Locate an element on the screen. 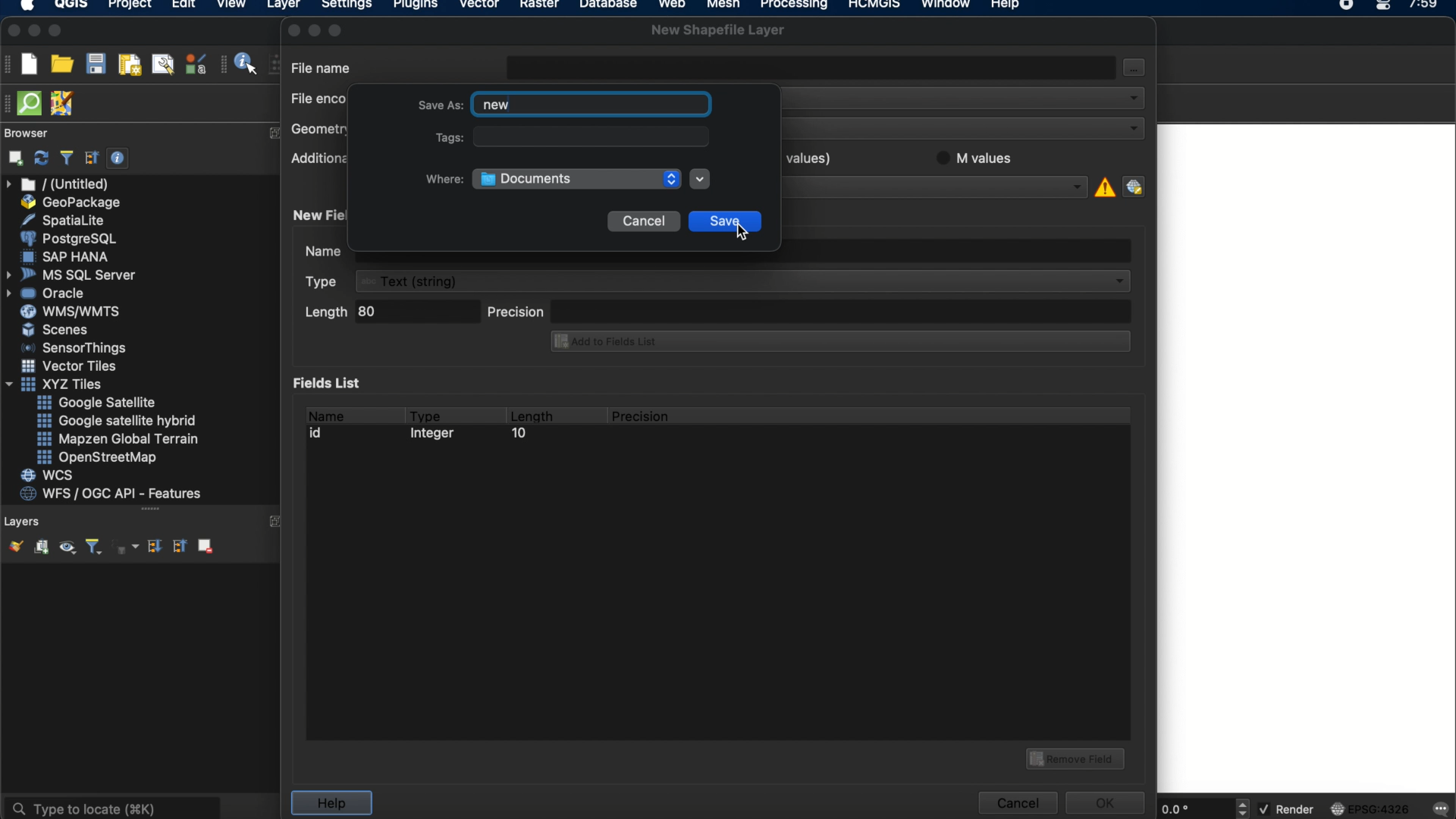 This screenshot has height=819, width=1456. dropdown is located at coordinates (1132, 128).